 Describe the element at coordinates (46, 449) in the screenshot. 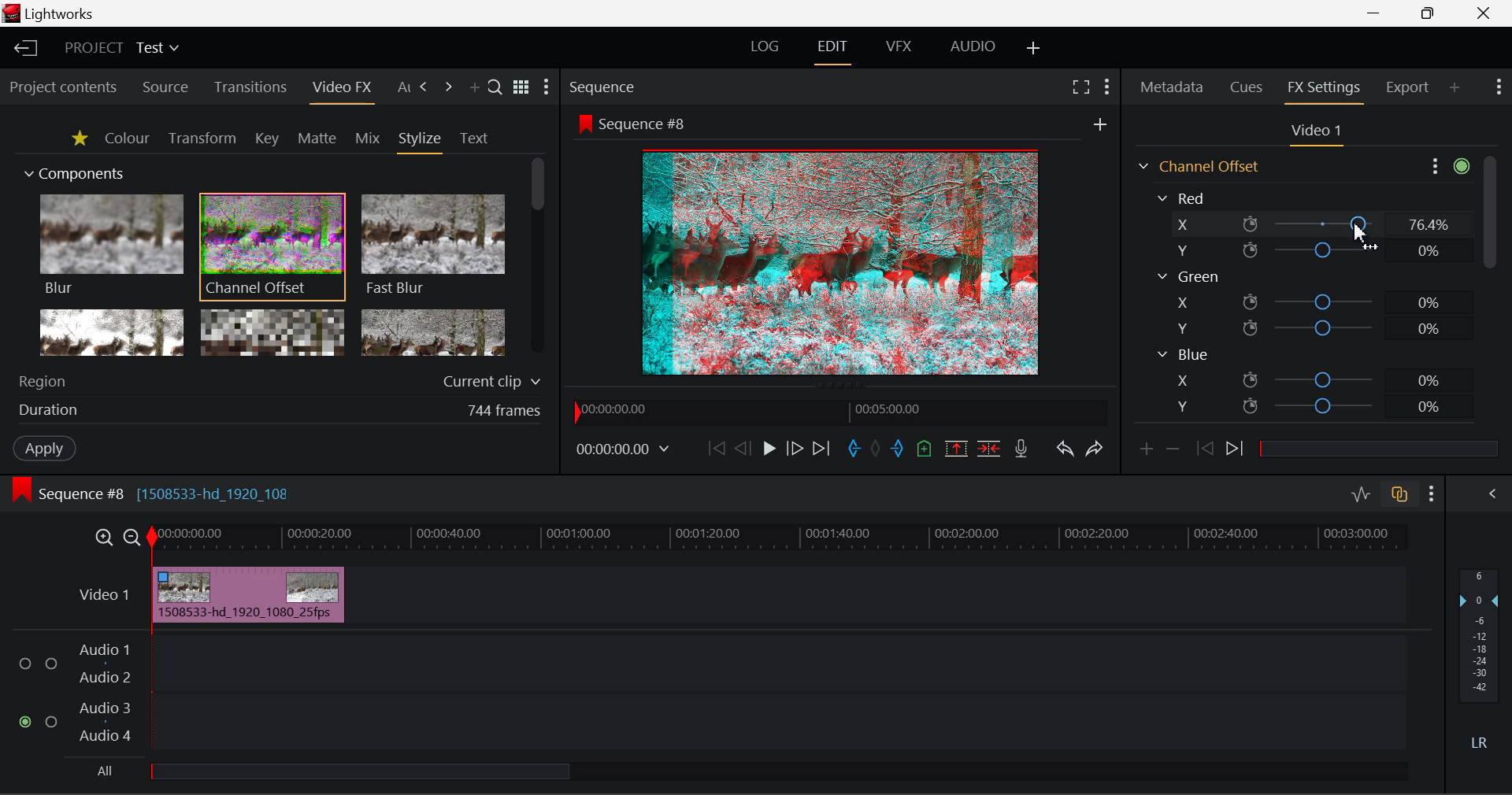

I see `Apply` at that location.